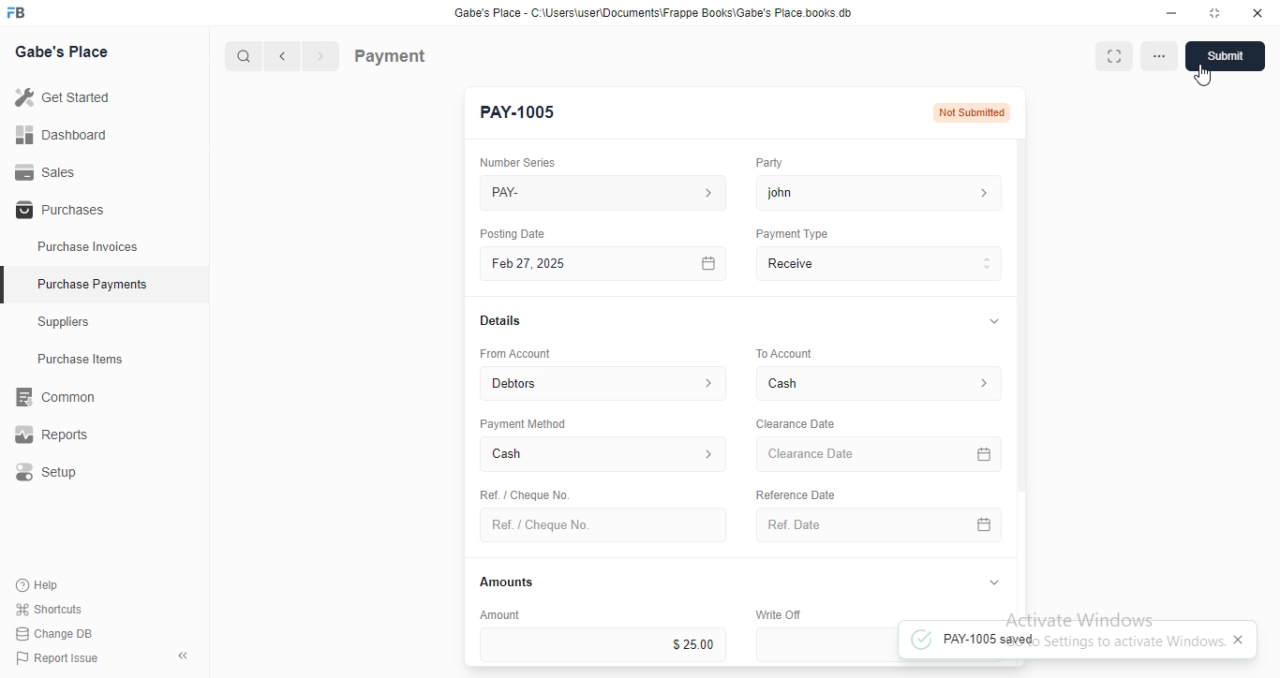  What do you see at coordinates (1062, 640) in the screenshot?
I see `PAY-1005 SAVED` at bounding box center [1062, 640].